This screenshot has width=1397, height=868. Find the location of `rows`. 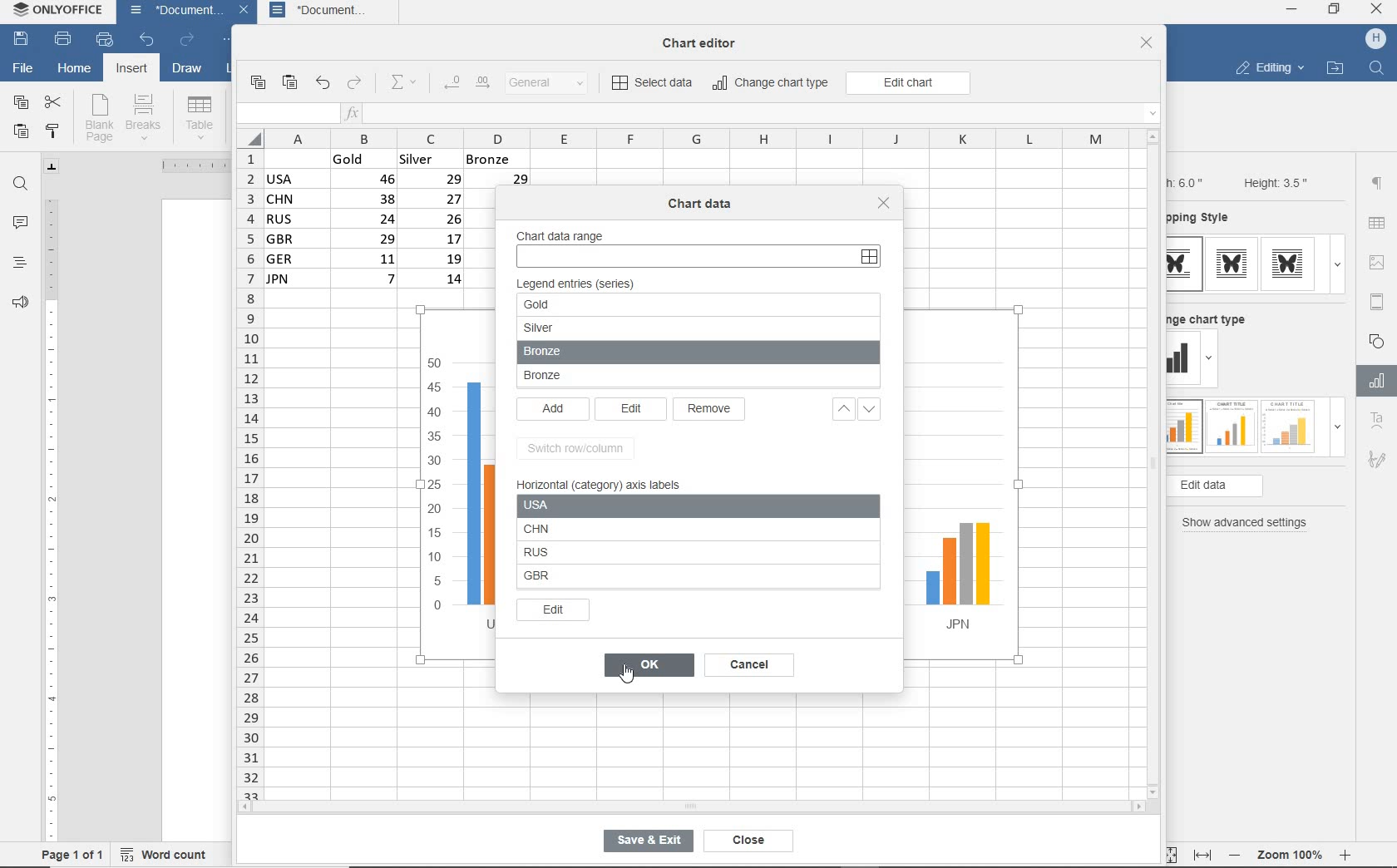

rows is located at coordinates (248, 473).